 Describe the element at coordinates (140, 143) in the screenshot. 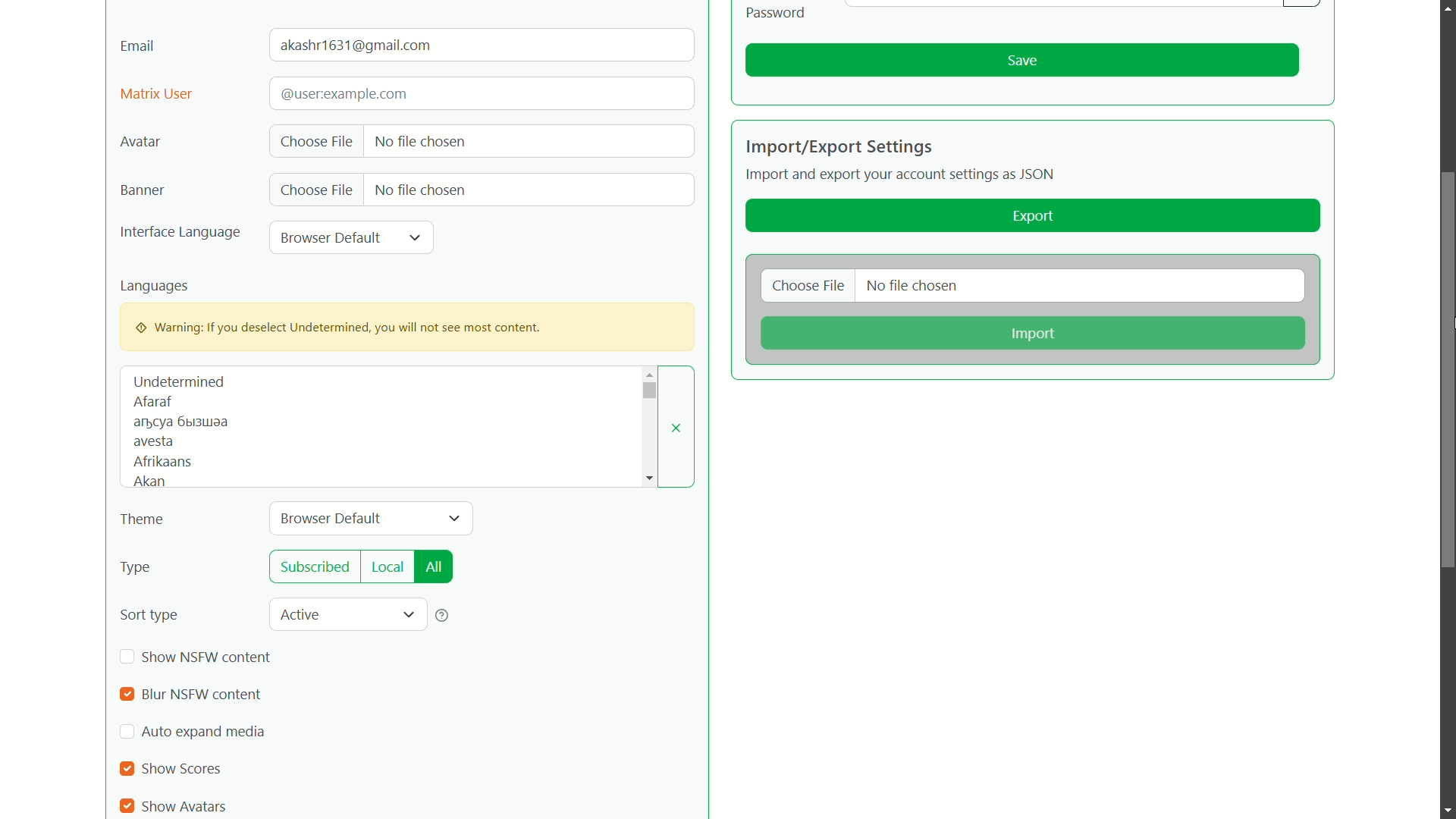

I see `avatar` at that location.